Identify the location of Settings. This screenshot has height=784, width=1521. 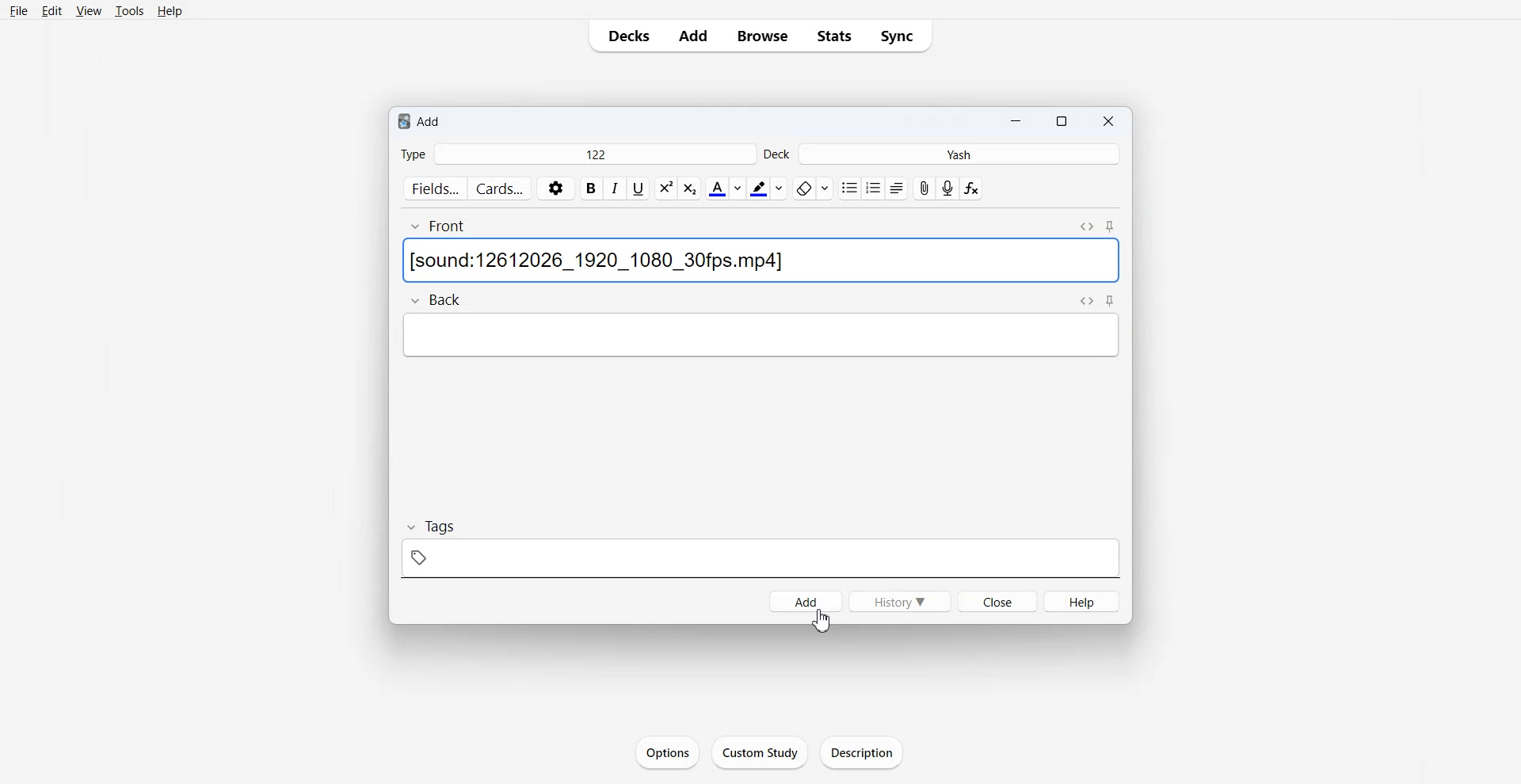
(556, 189).